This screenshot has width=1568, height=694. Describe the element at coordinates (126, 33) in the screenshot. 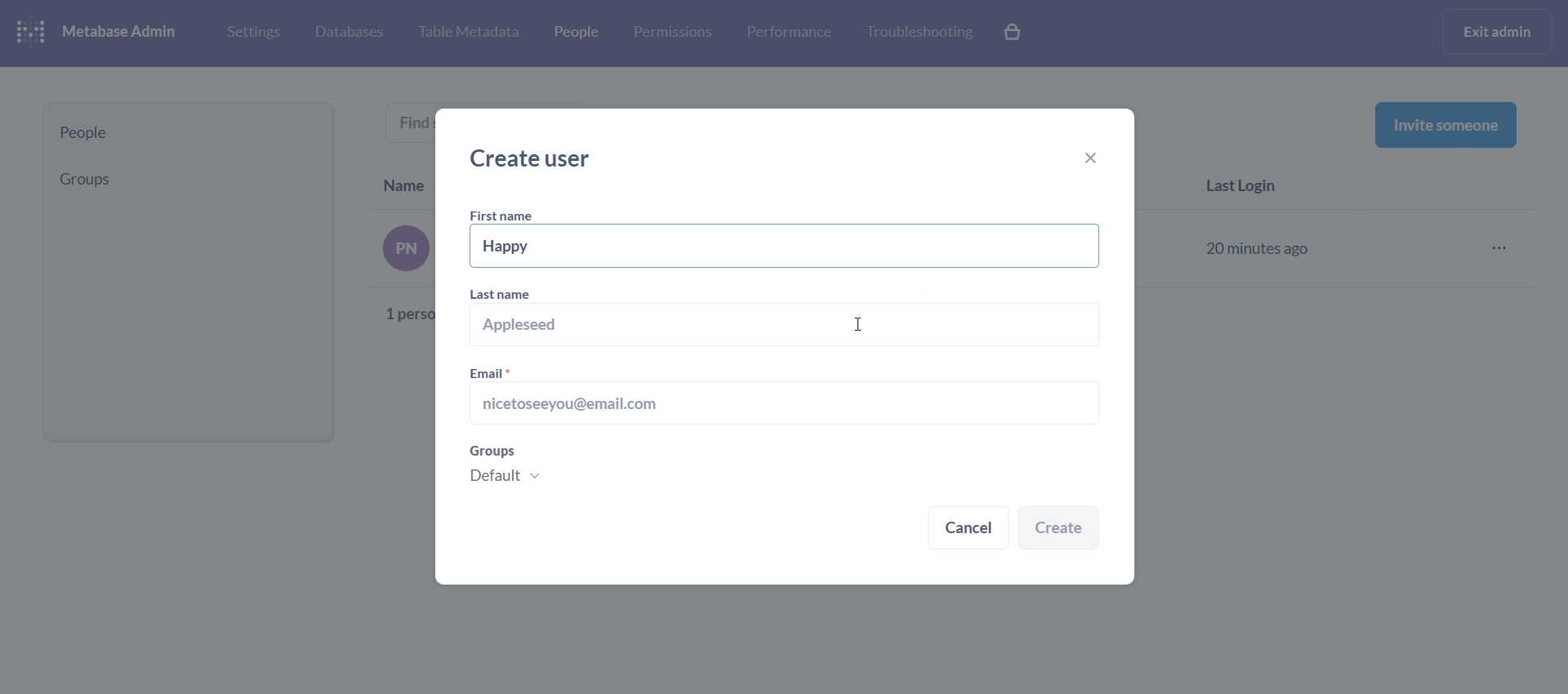

I see `metabase admin` at that location.